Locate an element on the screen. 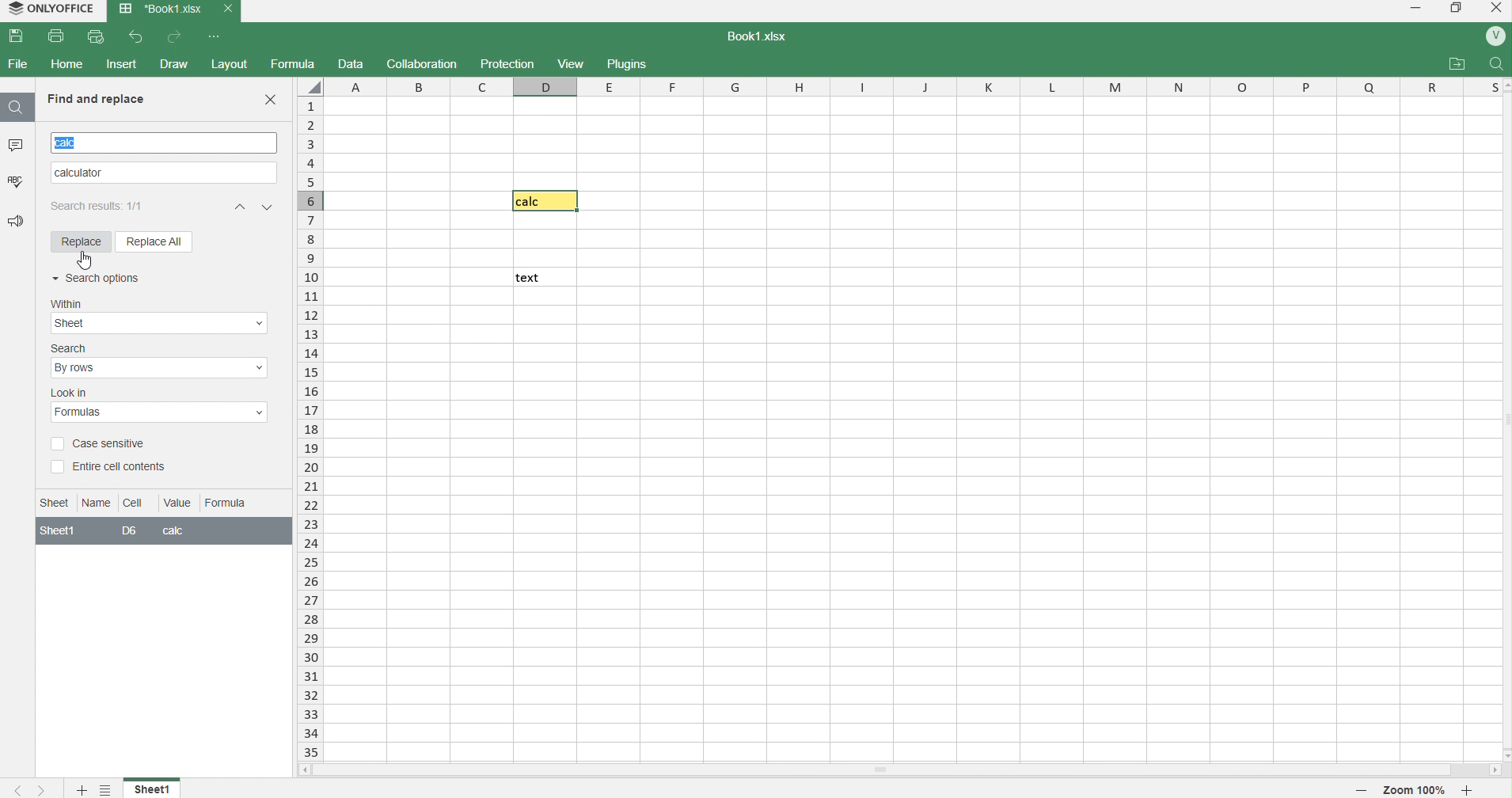 The height and width of the screenshot is (798, 1512). search is located at coordinates (74, 348).